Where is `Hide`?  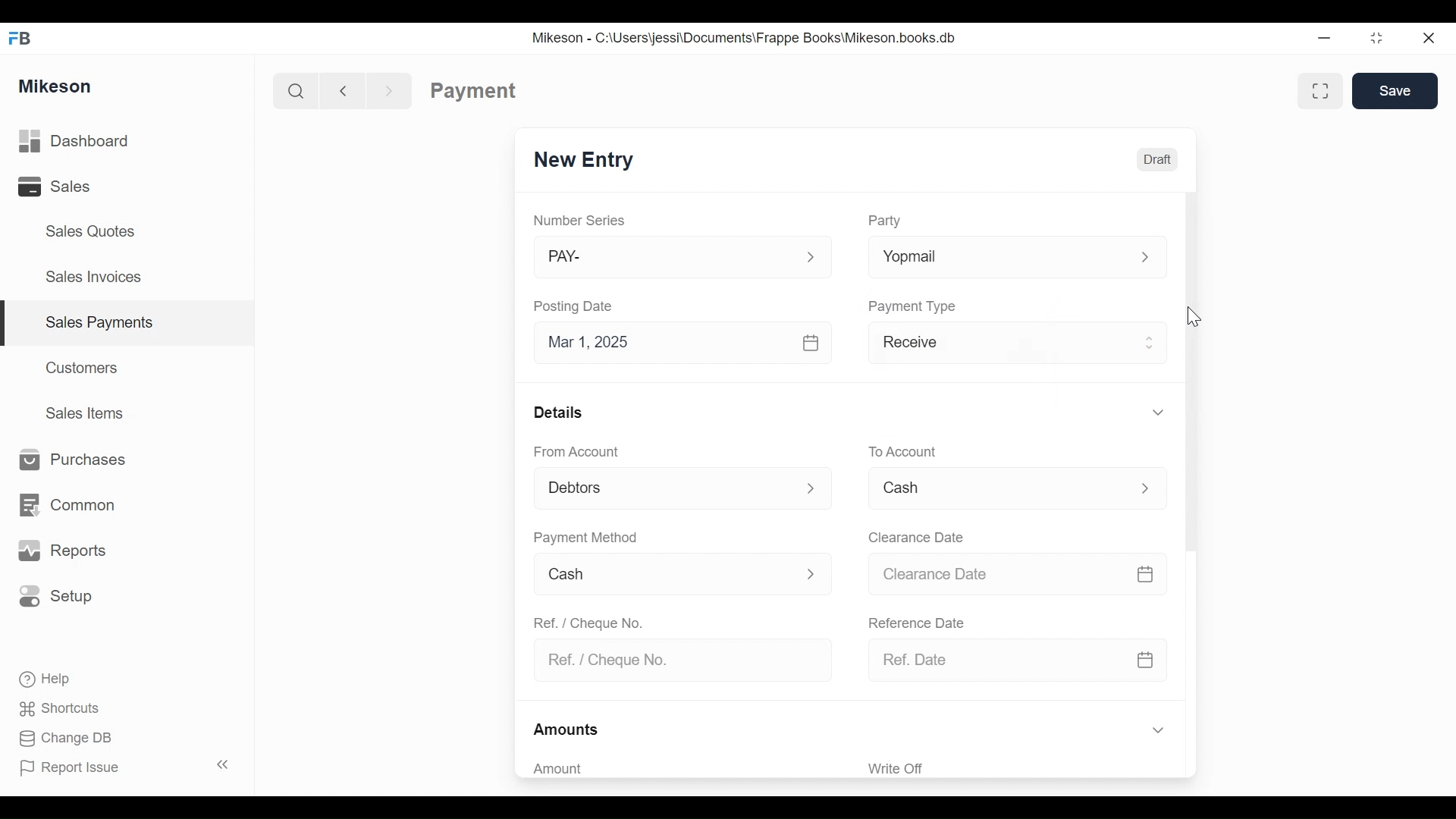
Hide is located at coordinates (1156, 728).